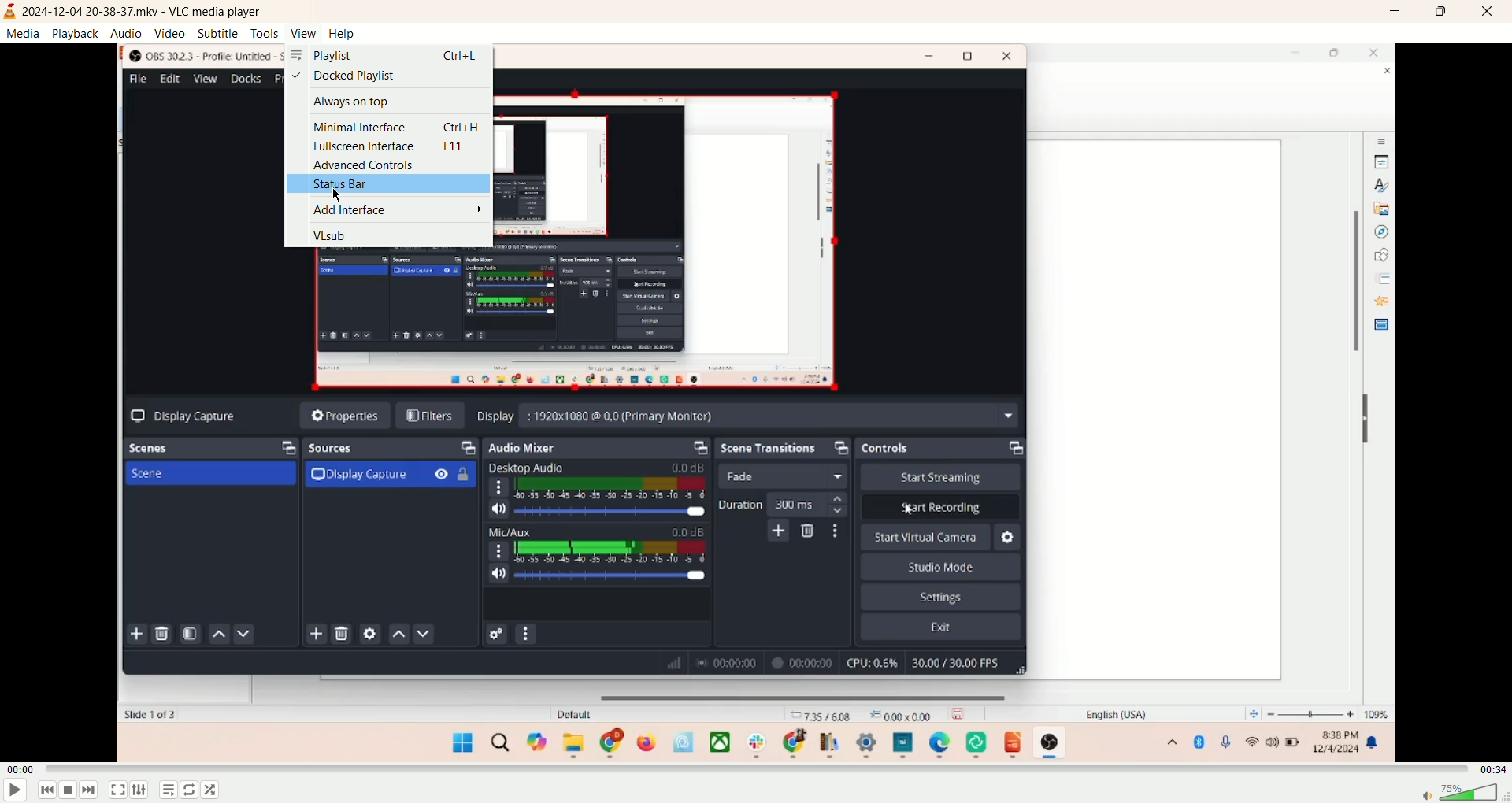 The image size is (1512, 803). I want to click on minimal interface, so click(396, 127).